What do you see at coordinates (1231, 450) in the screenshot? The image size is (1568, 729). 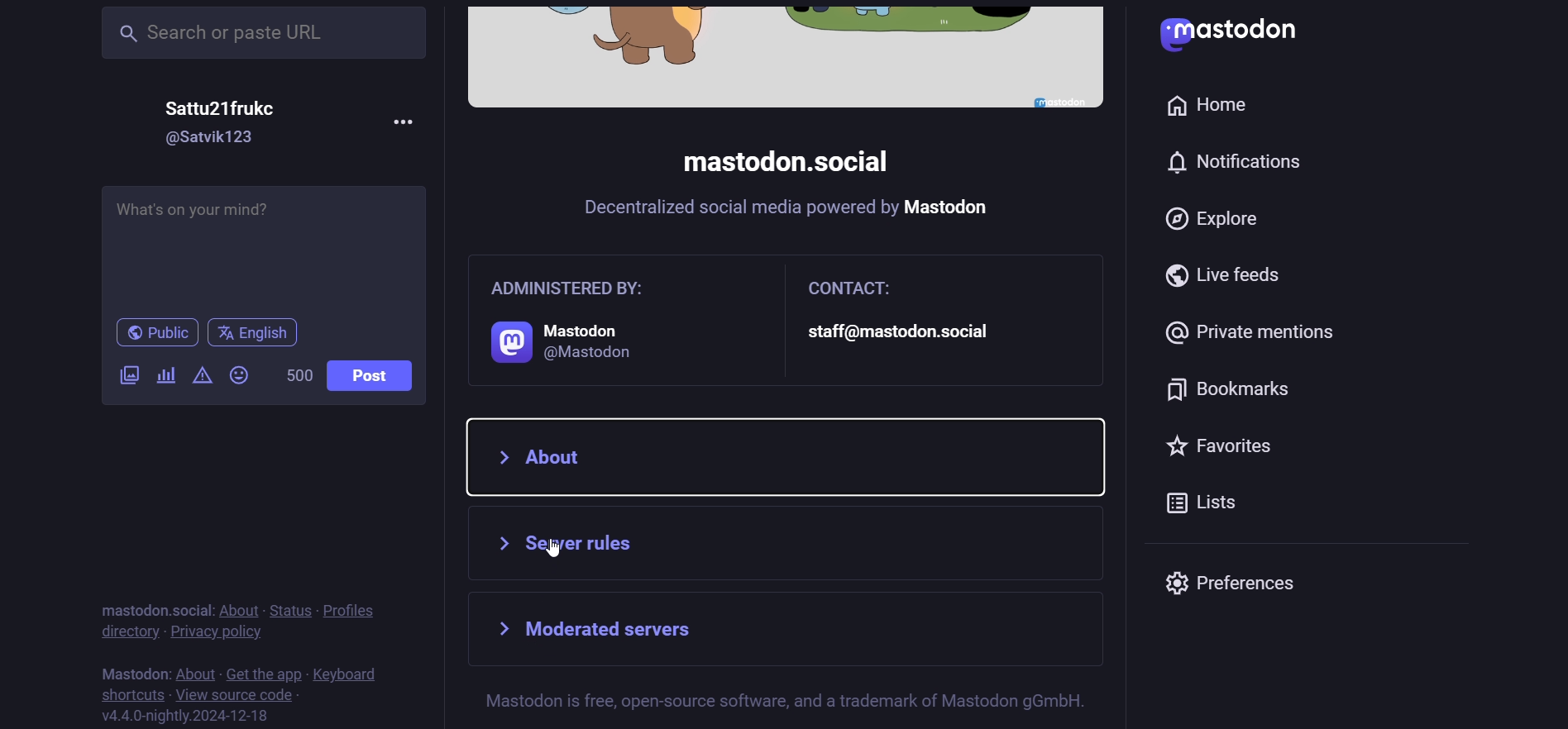 I see `favorite` at bounding box center [1231, 450].